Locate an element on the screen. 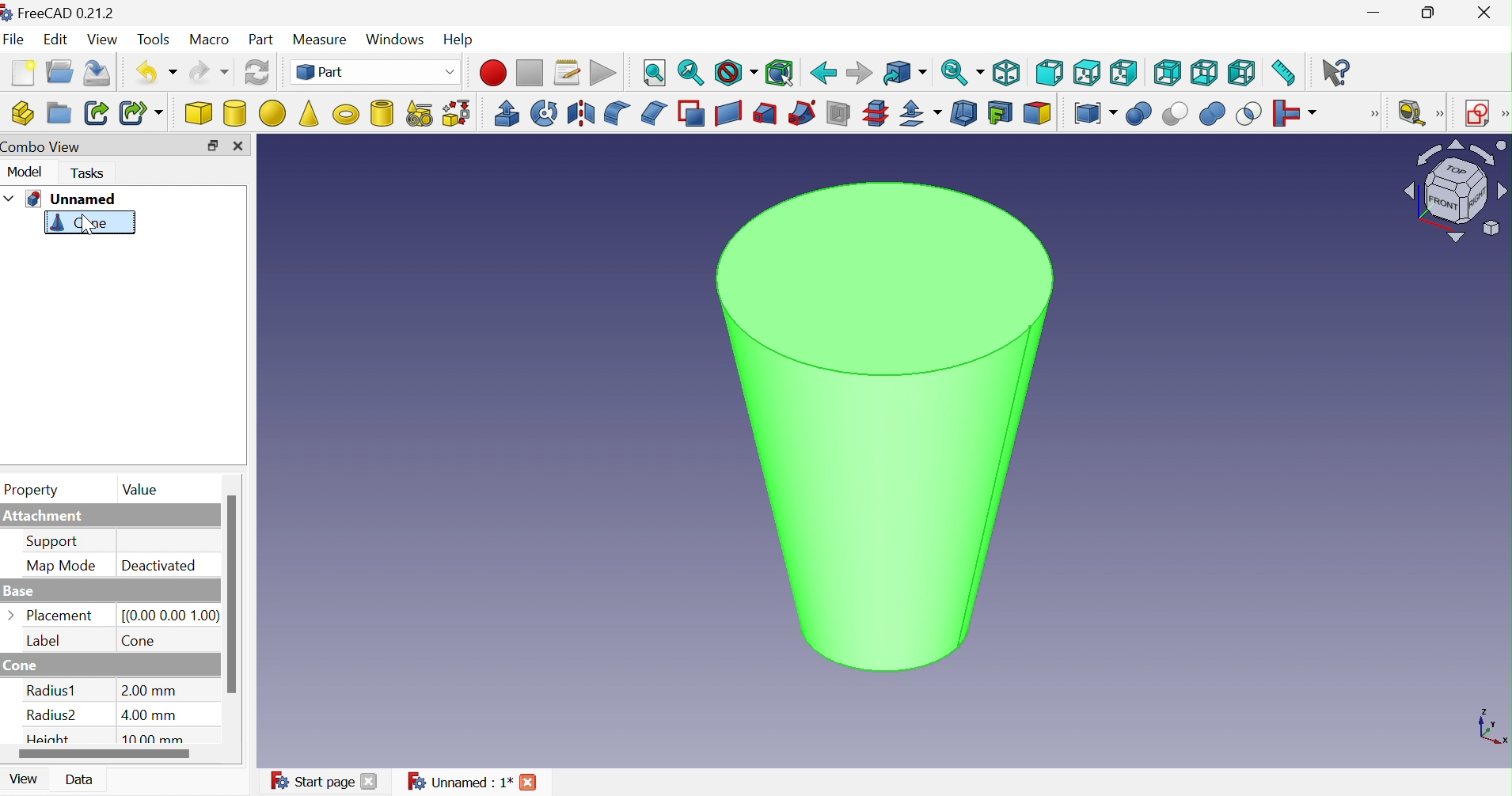  Measure liner is located at coordinates (1413, 112).